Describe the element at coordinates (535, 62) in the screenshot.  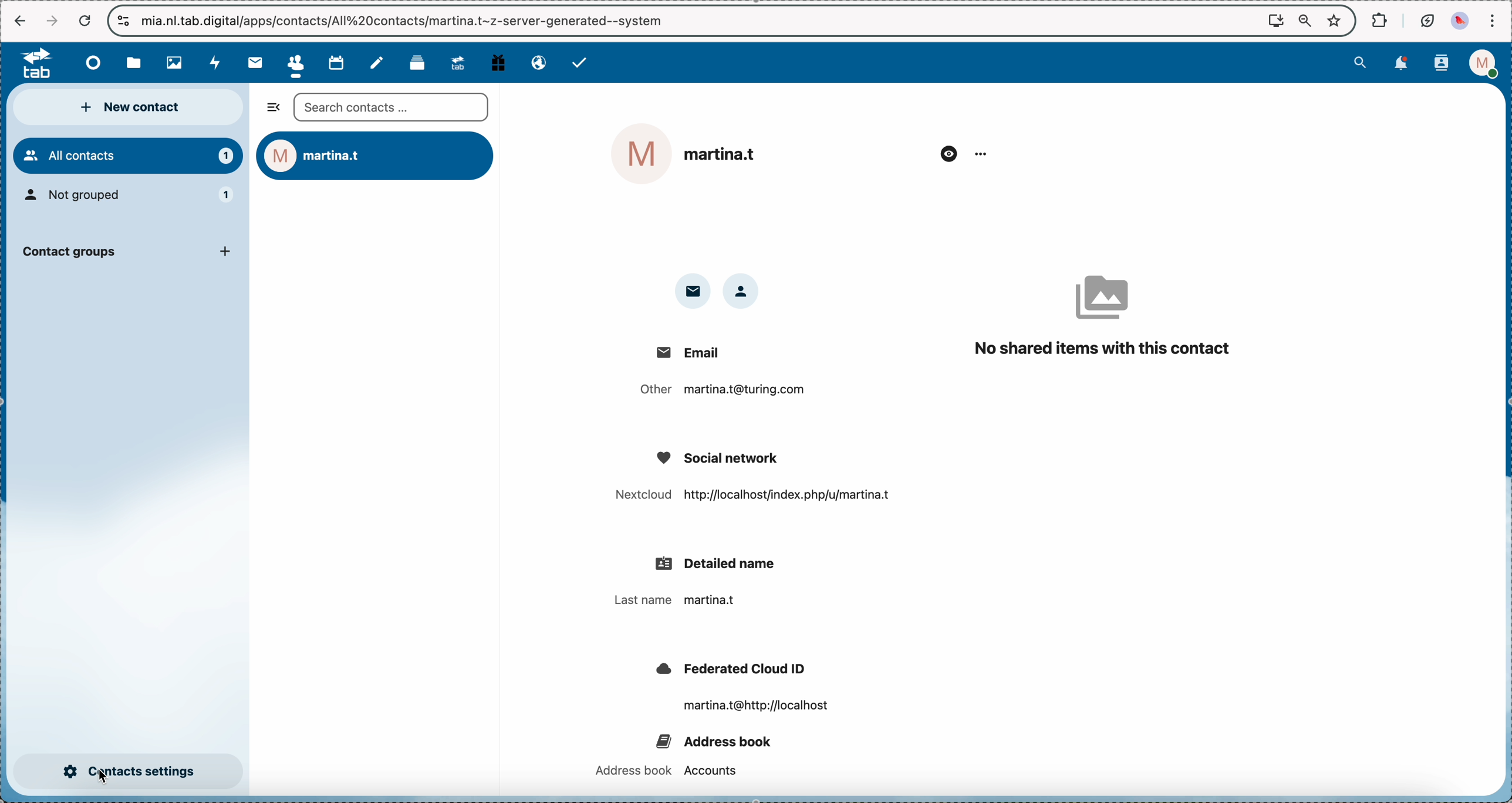
I see `email` at that location.